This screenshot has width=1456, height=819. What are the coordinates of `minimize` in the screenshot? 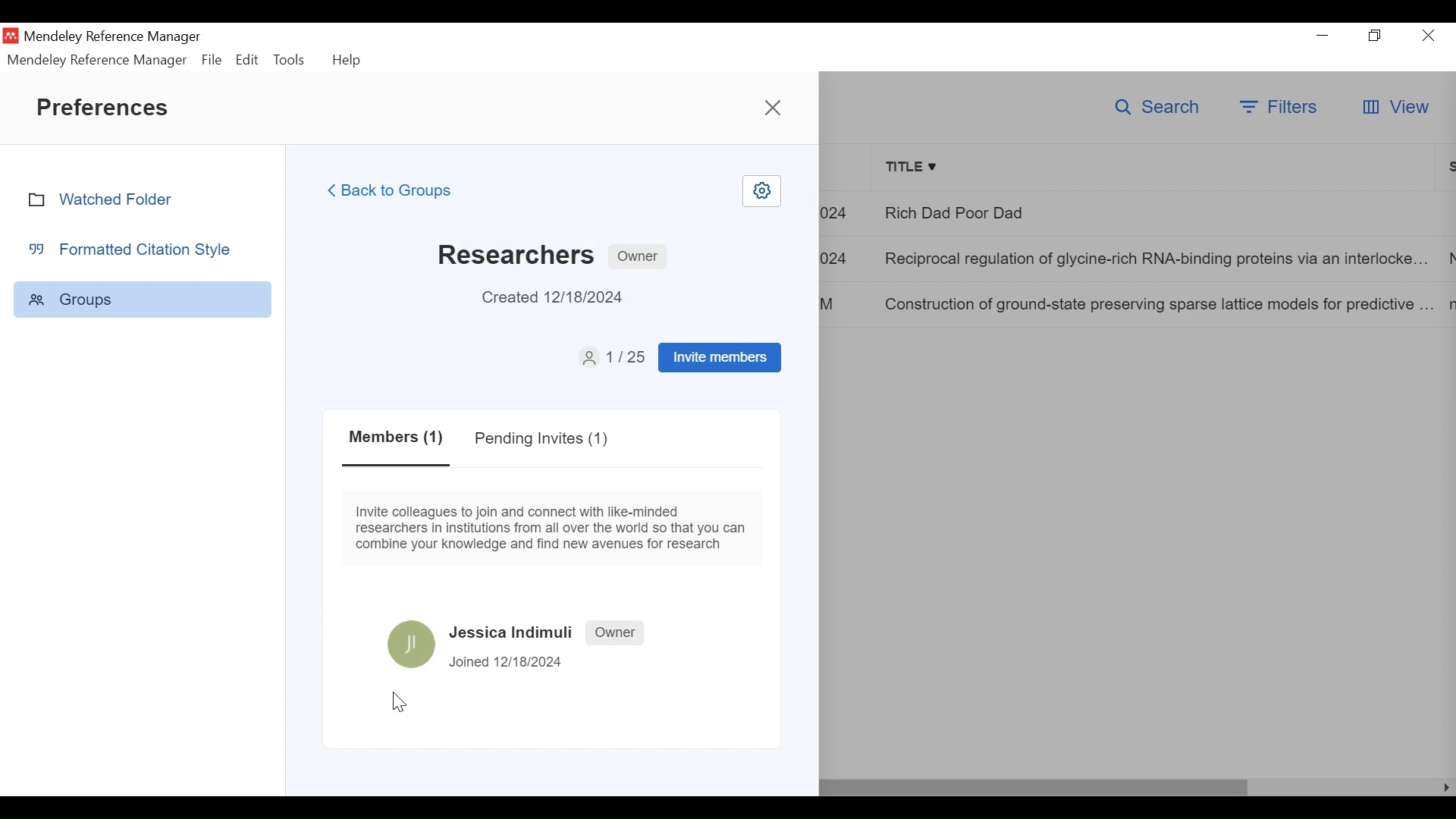 It's located at (1323, 33).